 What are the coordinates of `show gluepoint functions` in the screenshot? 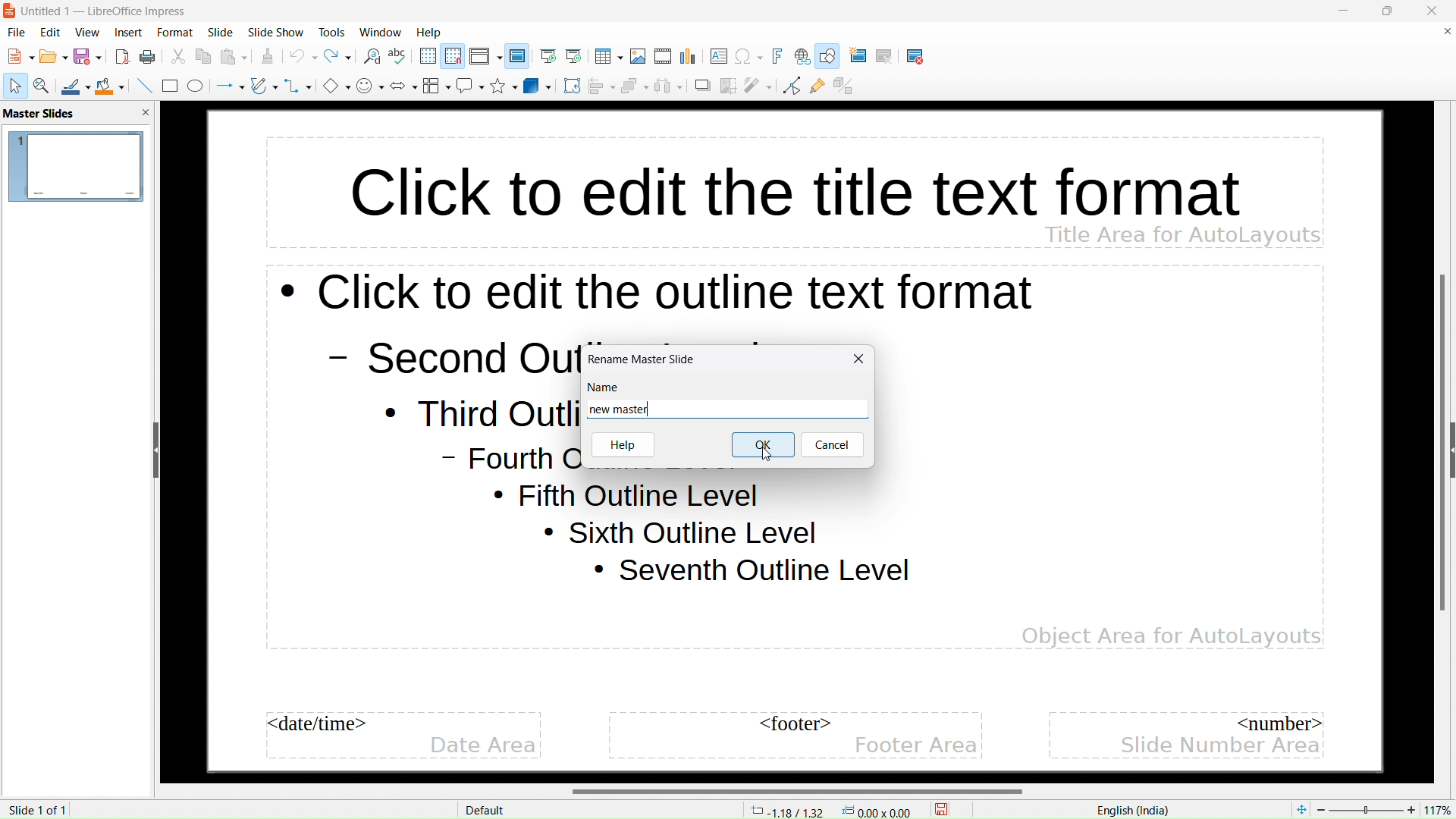 It's located at (817, 86).